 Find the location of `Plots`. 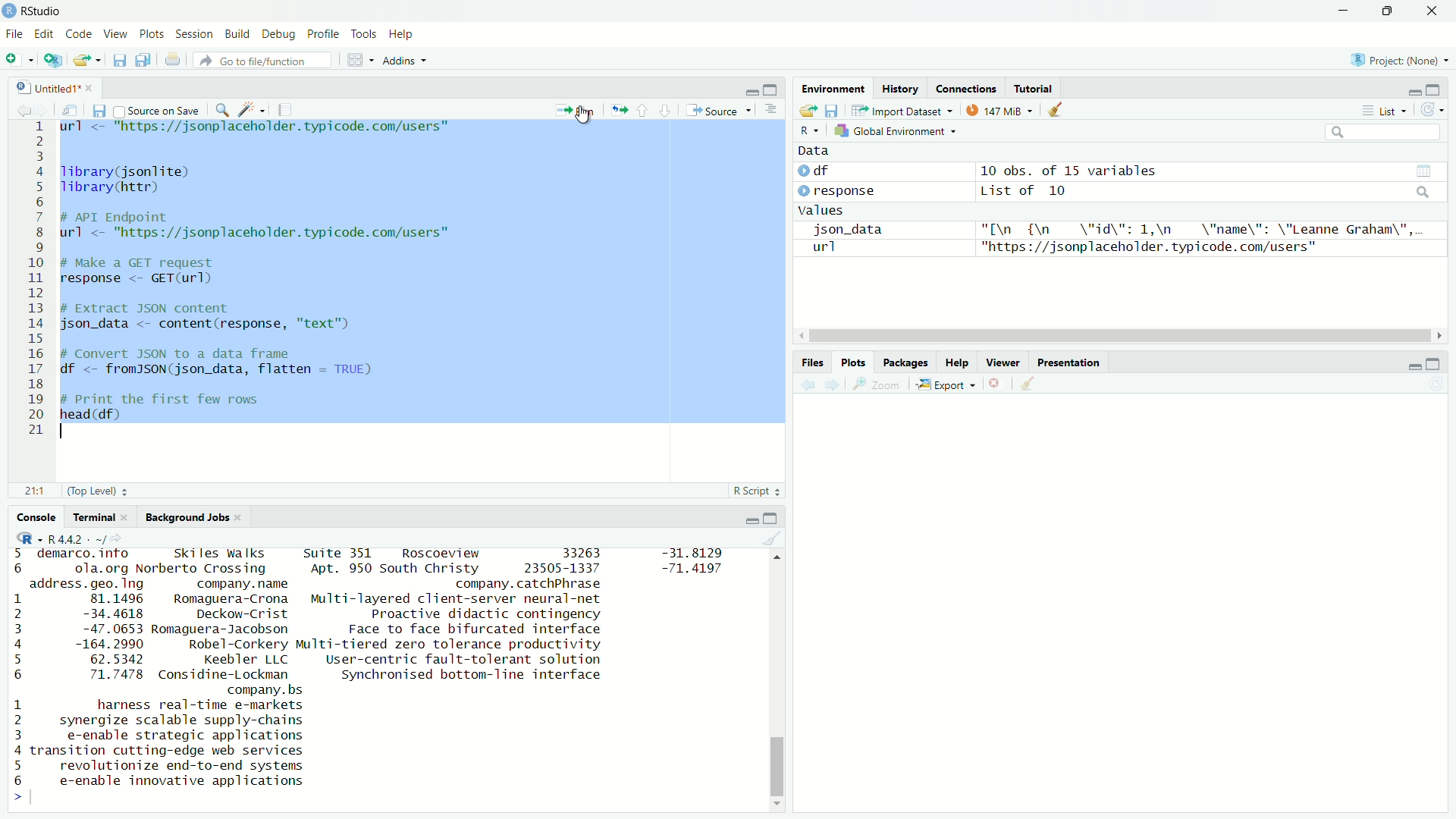

Plots is located at coordinates (852, 362).